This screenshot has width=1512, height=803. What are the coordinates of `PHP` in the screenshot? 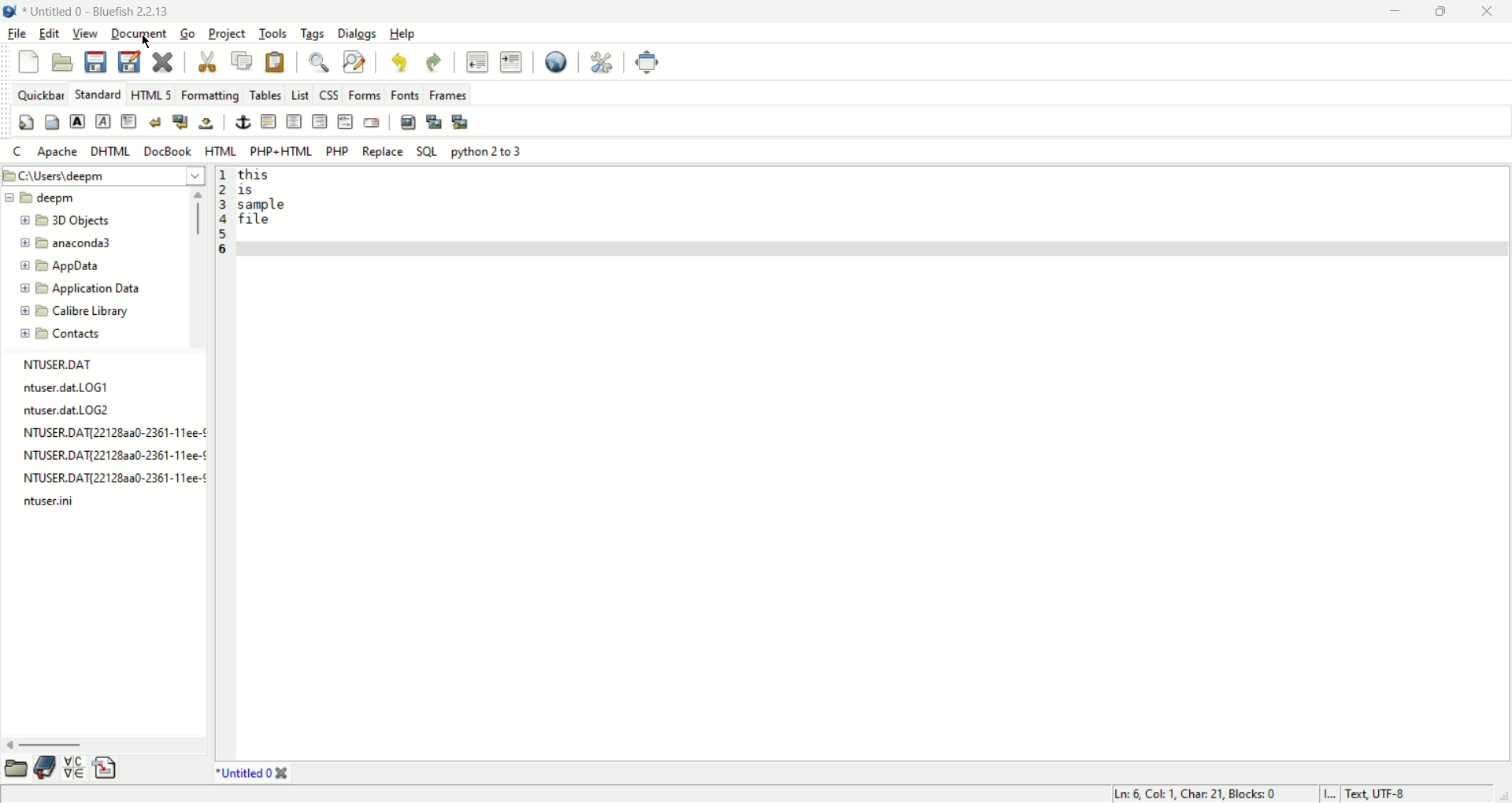 It's located at (336, 150).